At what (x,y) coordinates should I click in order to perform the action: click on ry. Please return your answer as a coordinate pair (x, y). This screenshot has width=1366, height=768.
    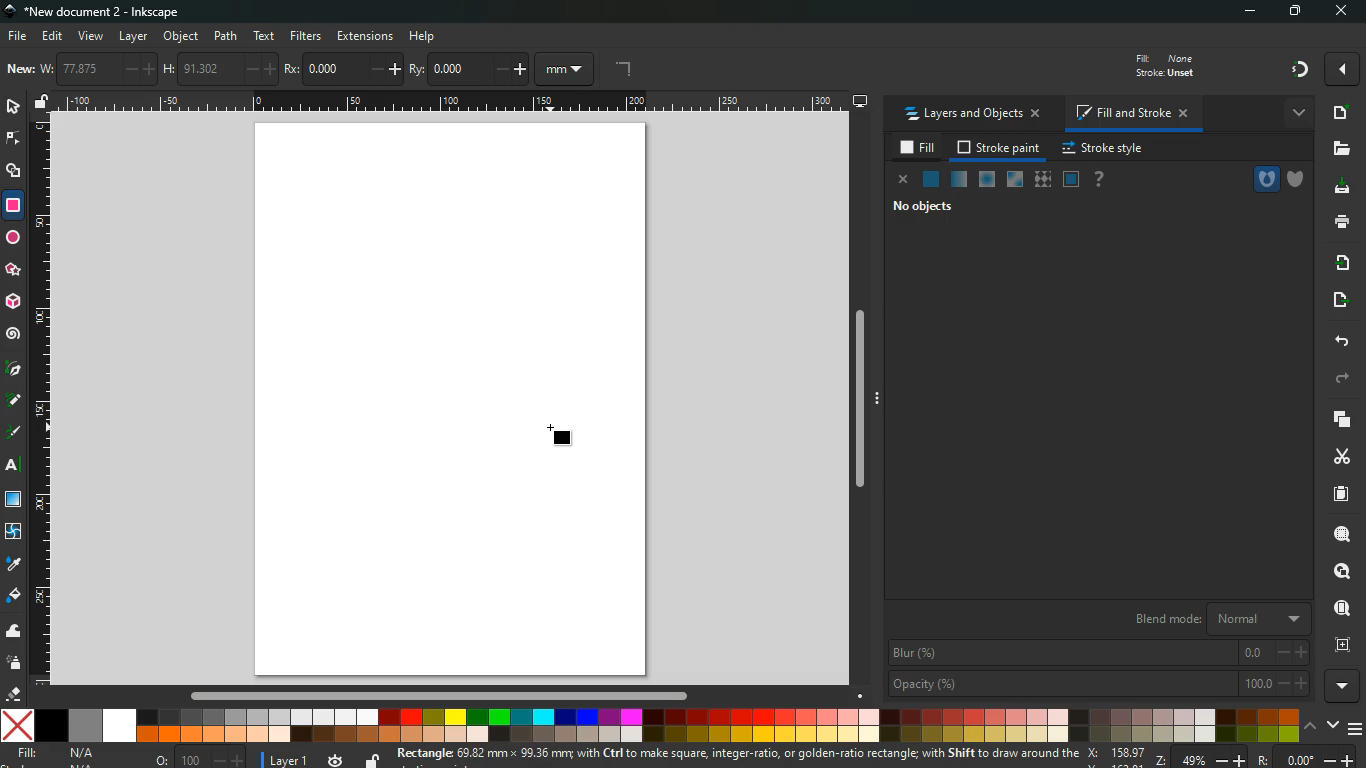
    Looking at the image, I should click on (469, 70).